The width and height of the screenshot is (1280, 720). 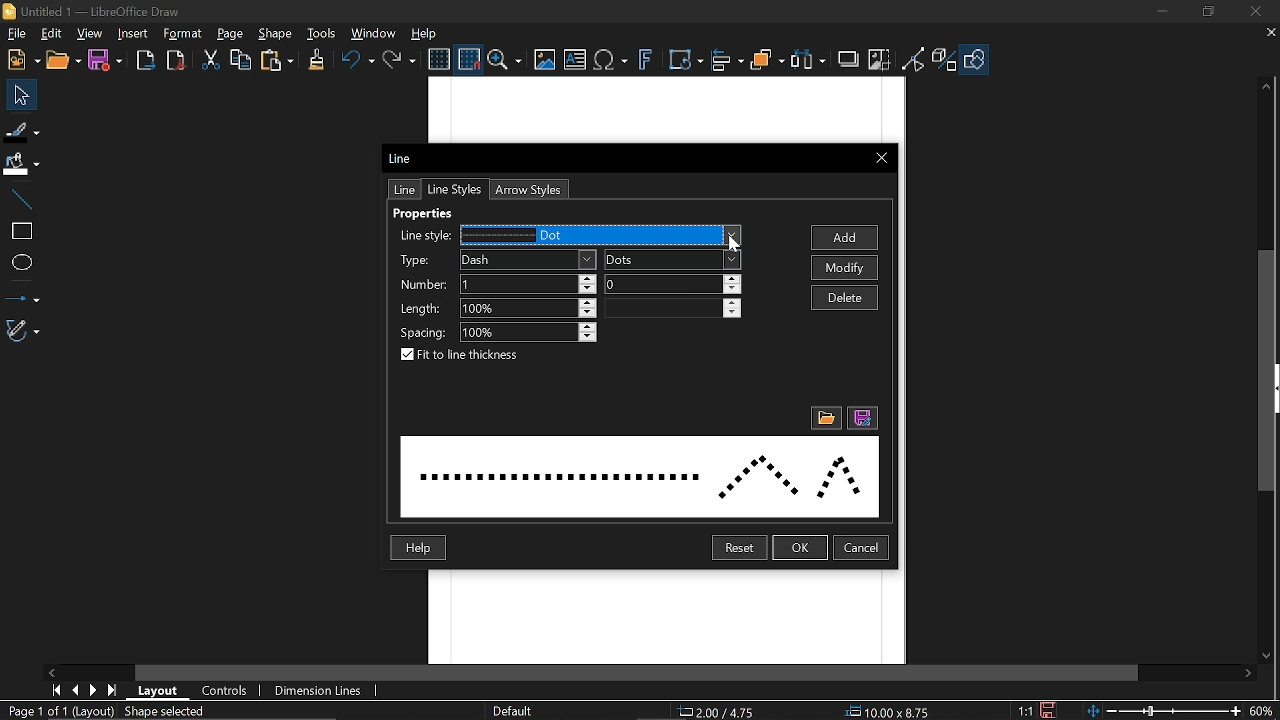 What do you see at coordinates (22, 130) in the screenshot?
I see `Fill line` at bounding box center [22, 130].